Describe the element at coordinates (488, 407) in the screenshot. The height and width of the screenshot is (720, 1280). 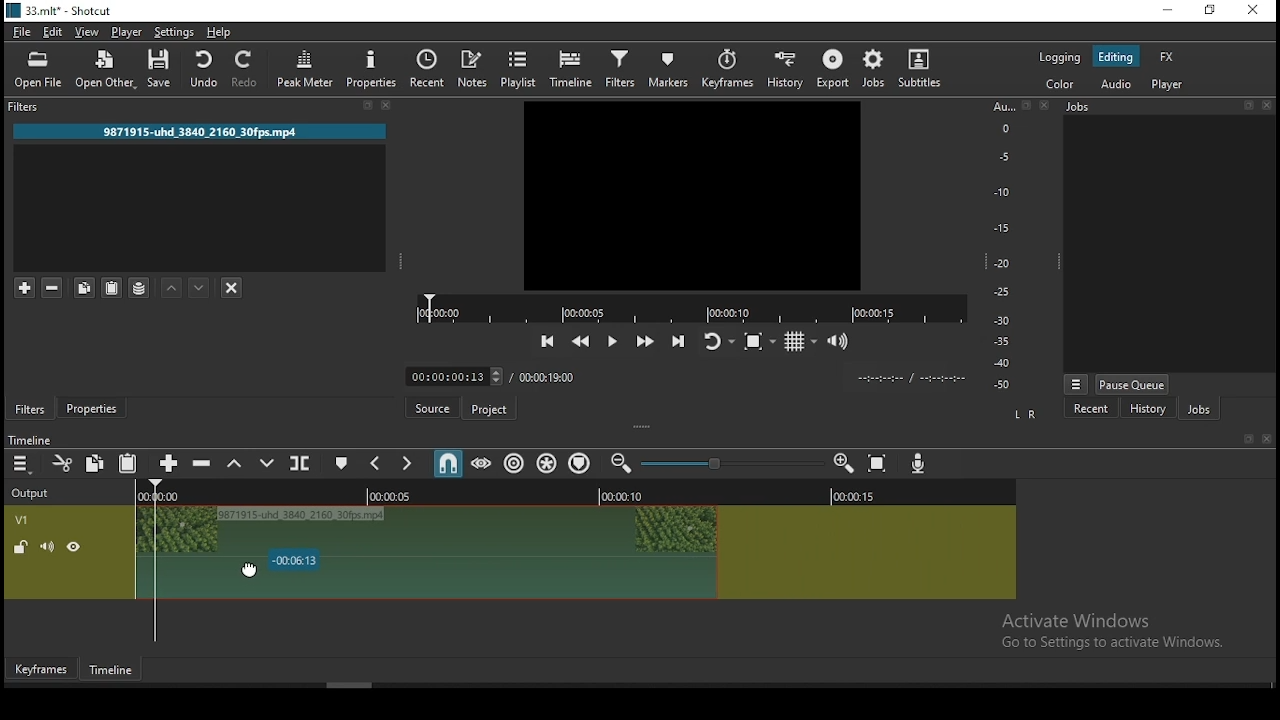
I see `Project` at that location.